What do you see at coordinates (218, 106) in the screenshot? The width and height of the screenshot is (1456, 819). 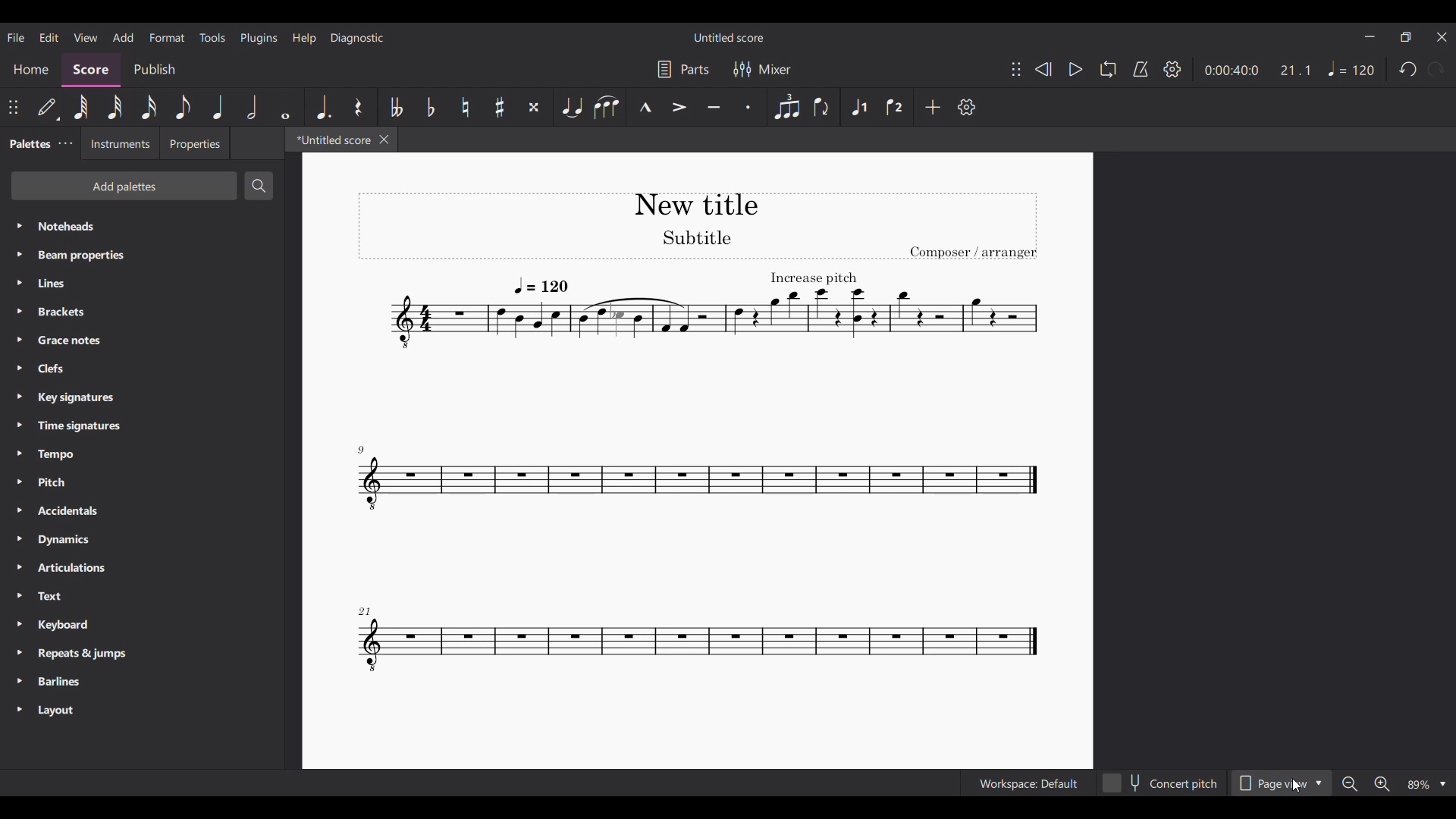 I see `Quarter note` at bounding box center [218, 106].